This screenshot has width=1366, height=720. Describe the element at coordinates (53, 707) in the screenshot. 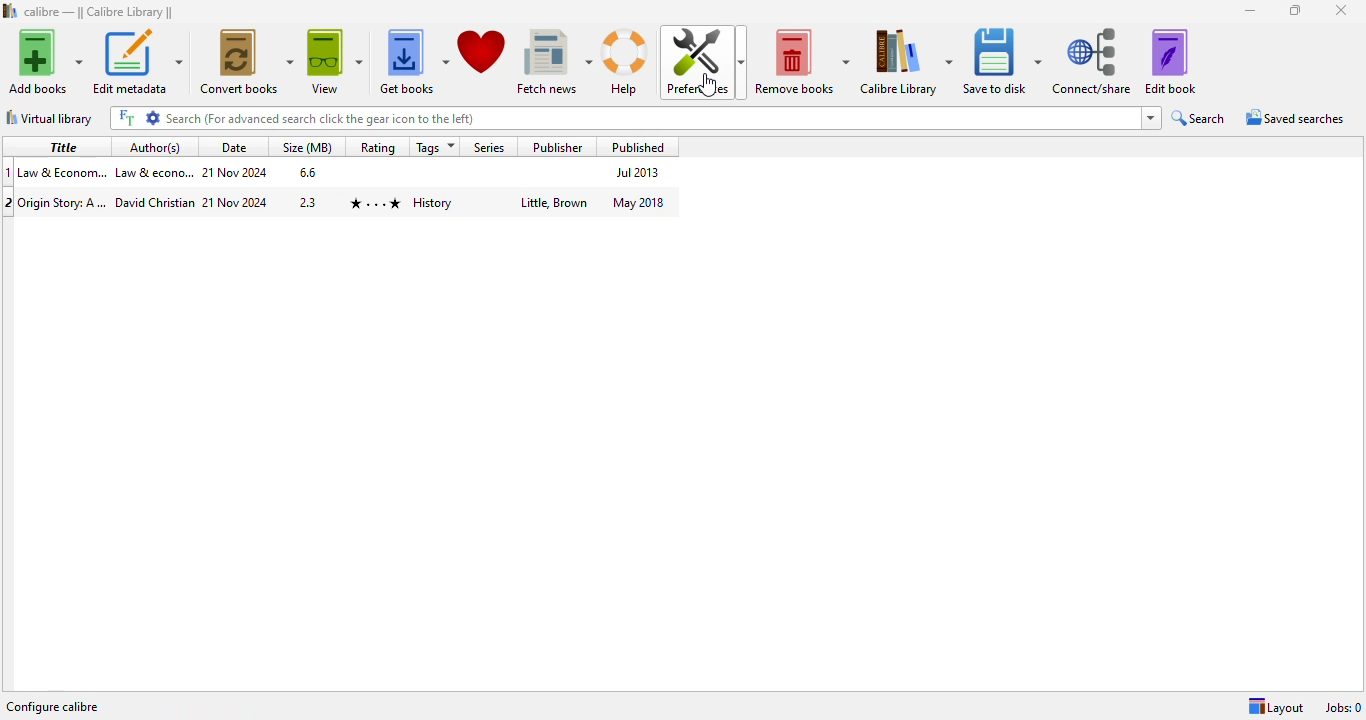

I see `configure calibre` at that location.